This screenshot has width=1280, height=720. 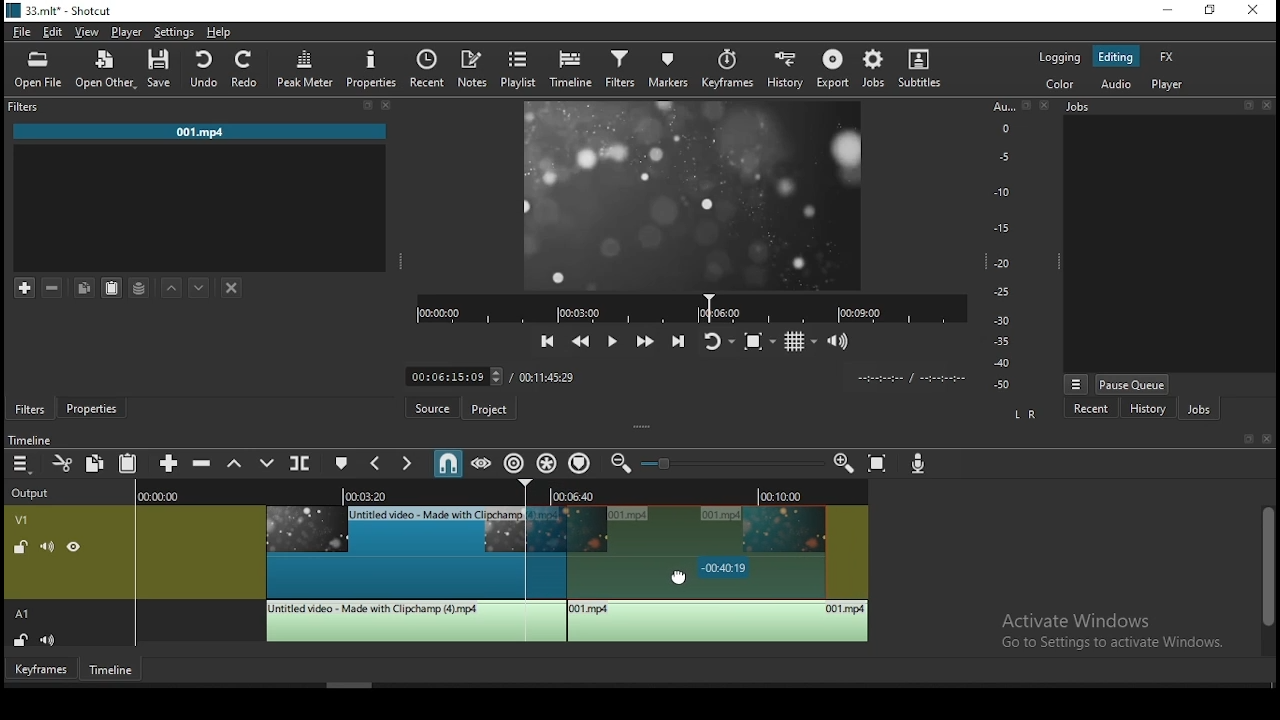 What do you see at coordinates (921, 68) in the screenshot?
I see `subtitle` at bounding box center [921, 68].